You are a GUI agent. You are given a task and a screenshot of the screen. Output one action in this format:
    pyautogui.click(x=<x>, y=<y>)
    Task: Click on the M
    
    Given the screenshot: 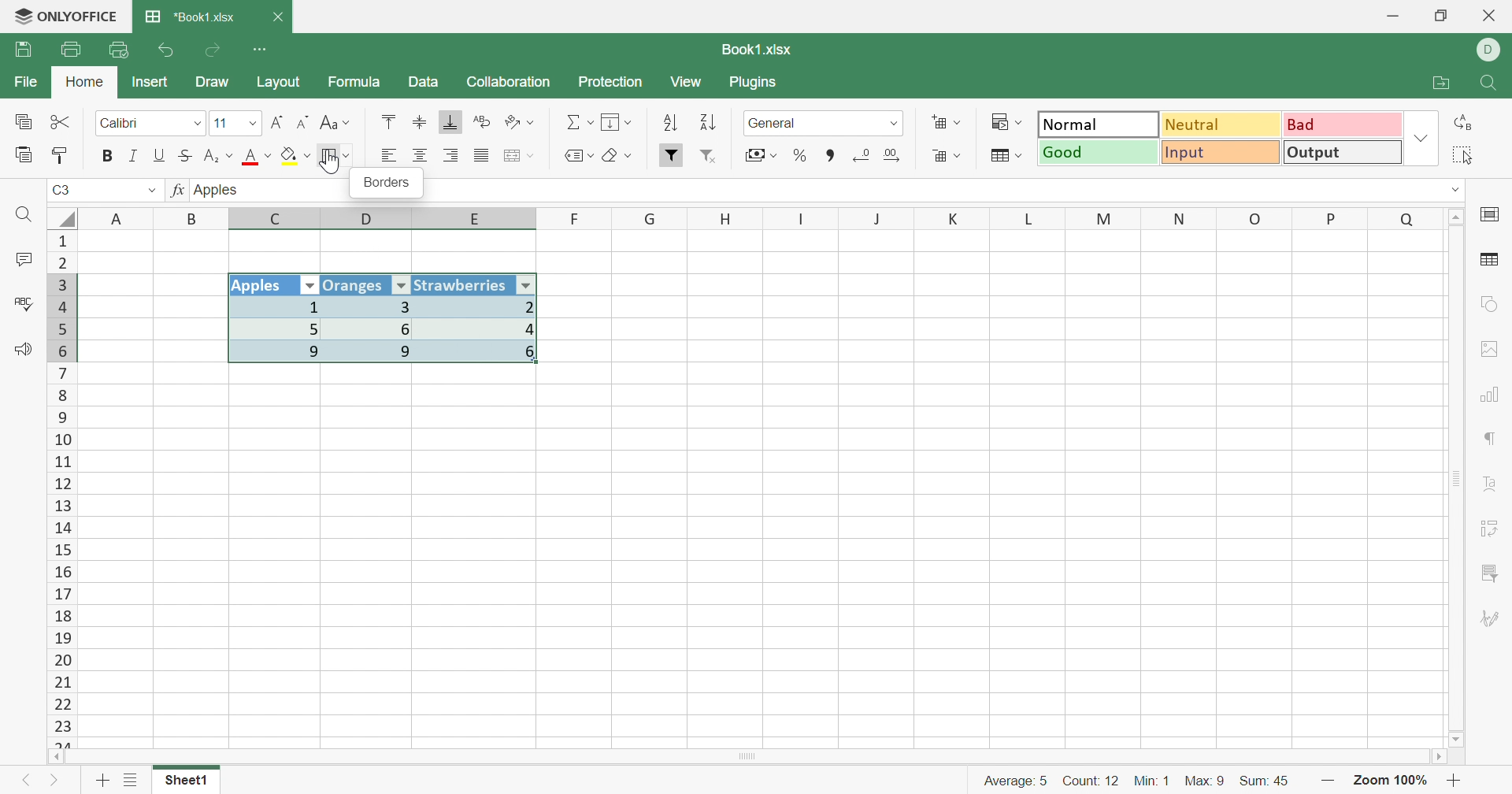 What is the action you would take?
    pyautogui.click(x=1104, y=218)
    